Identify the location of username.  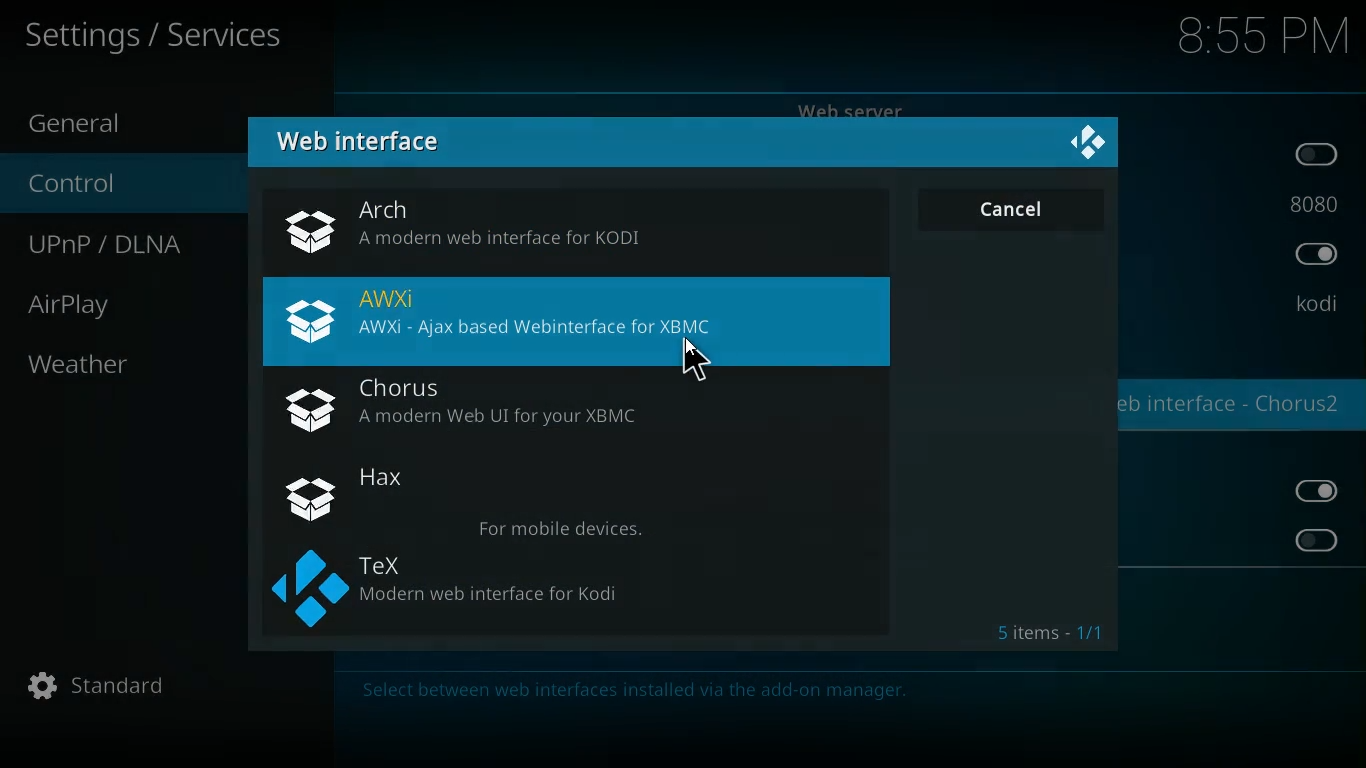
(1315, 305).